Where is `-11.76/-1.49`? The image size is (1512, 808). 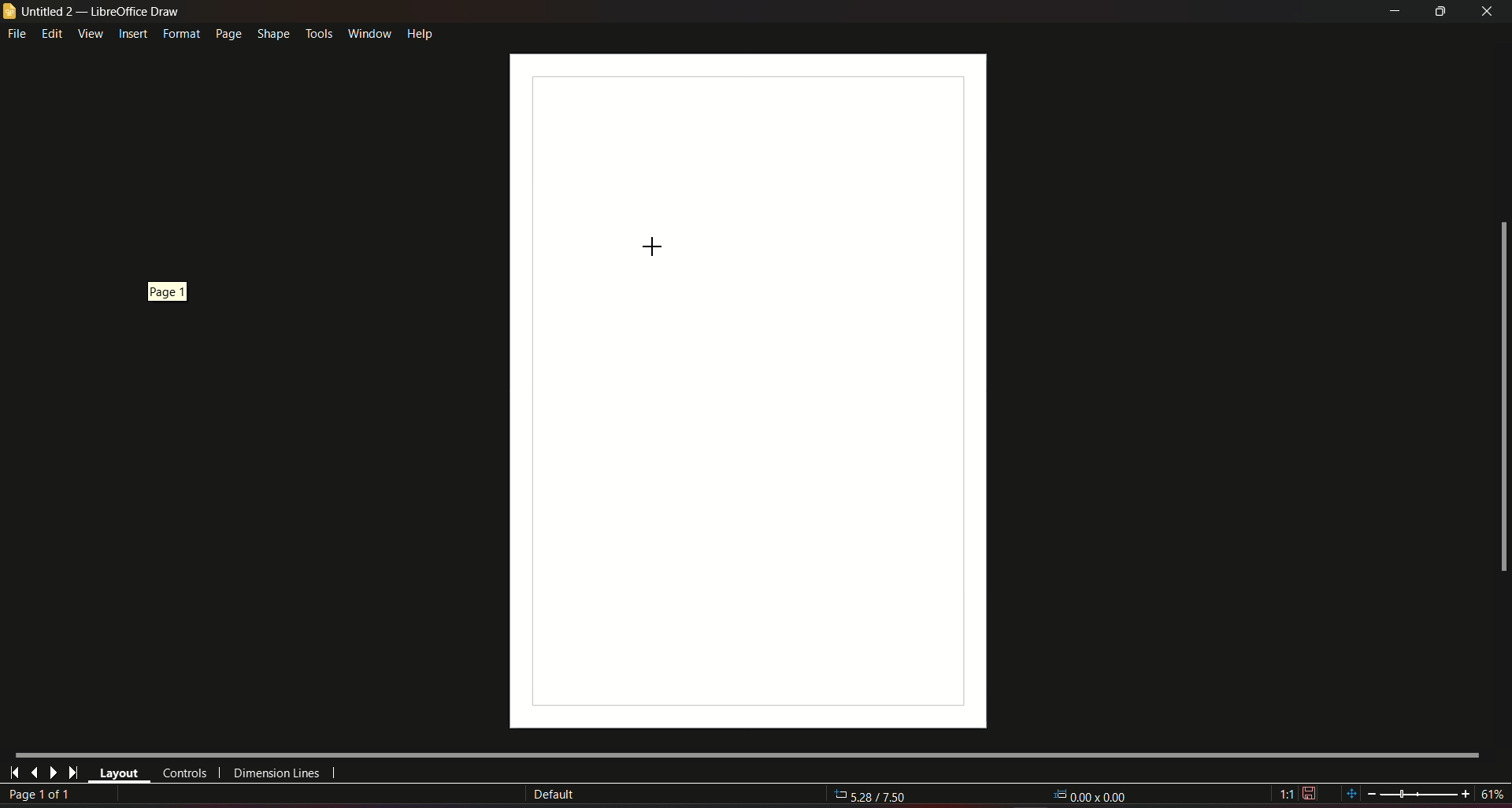
-11.76/-1.49 is located at coordinates (880, 797).